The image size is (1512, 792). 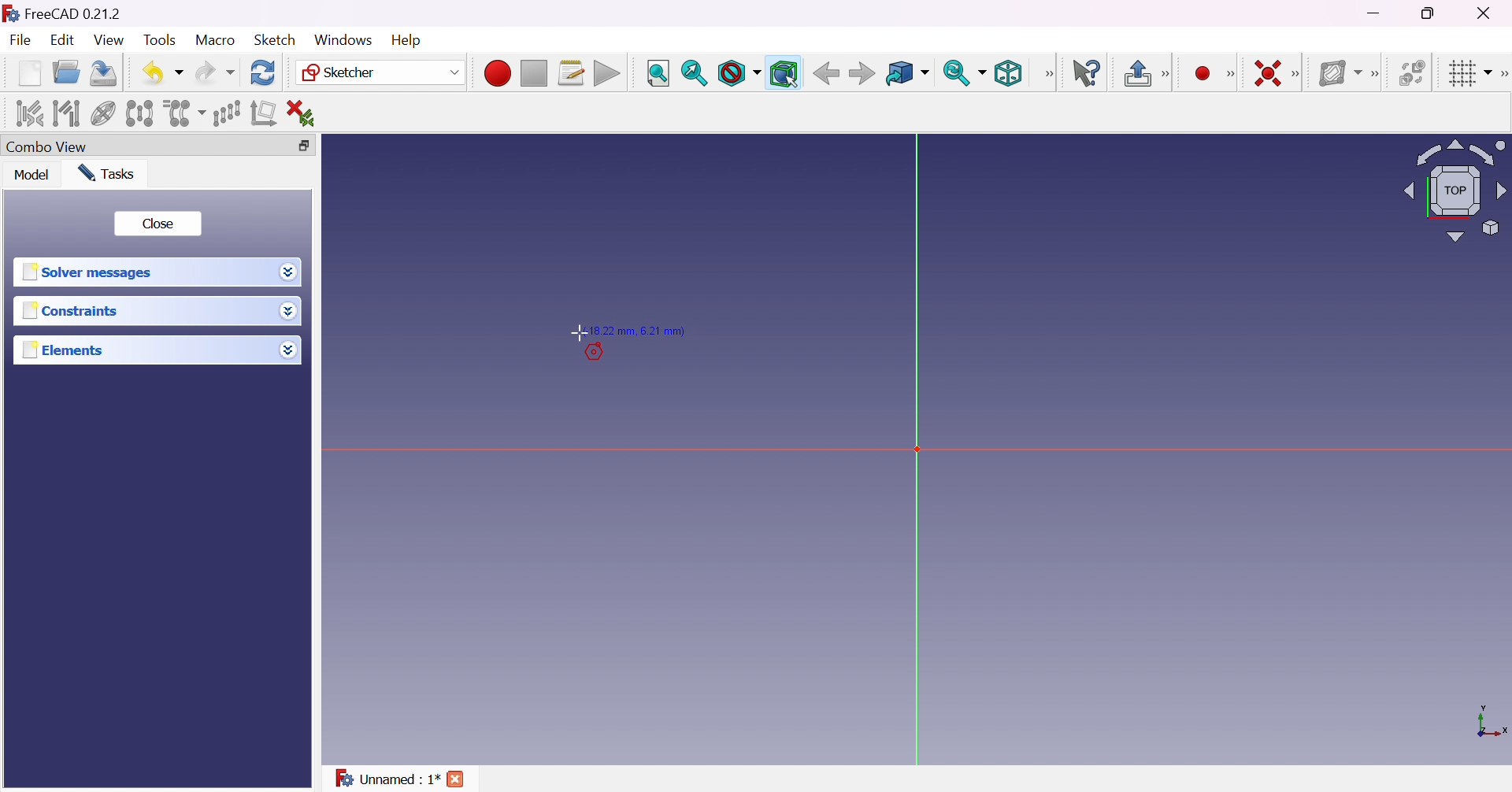 I want to click on Show/hide internal geometry, so click(x=104, y=116).